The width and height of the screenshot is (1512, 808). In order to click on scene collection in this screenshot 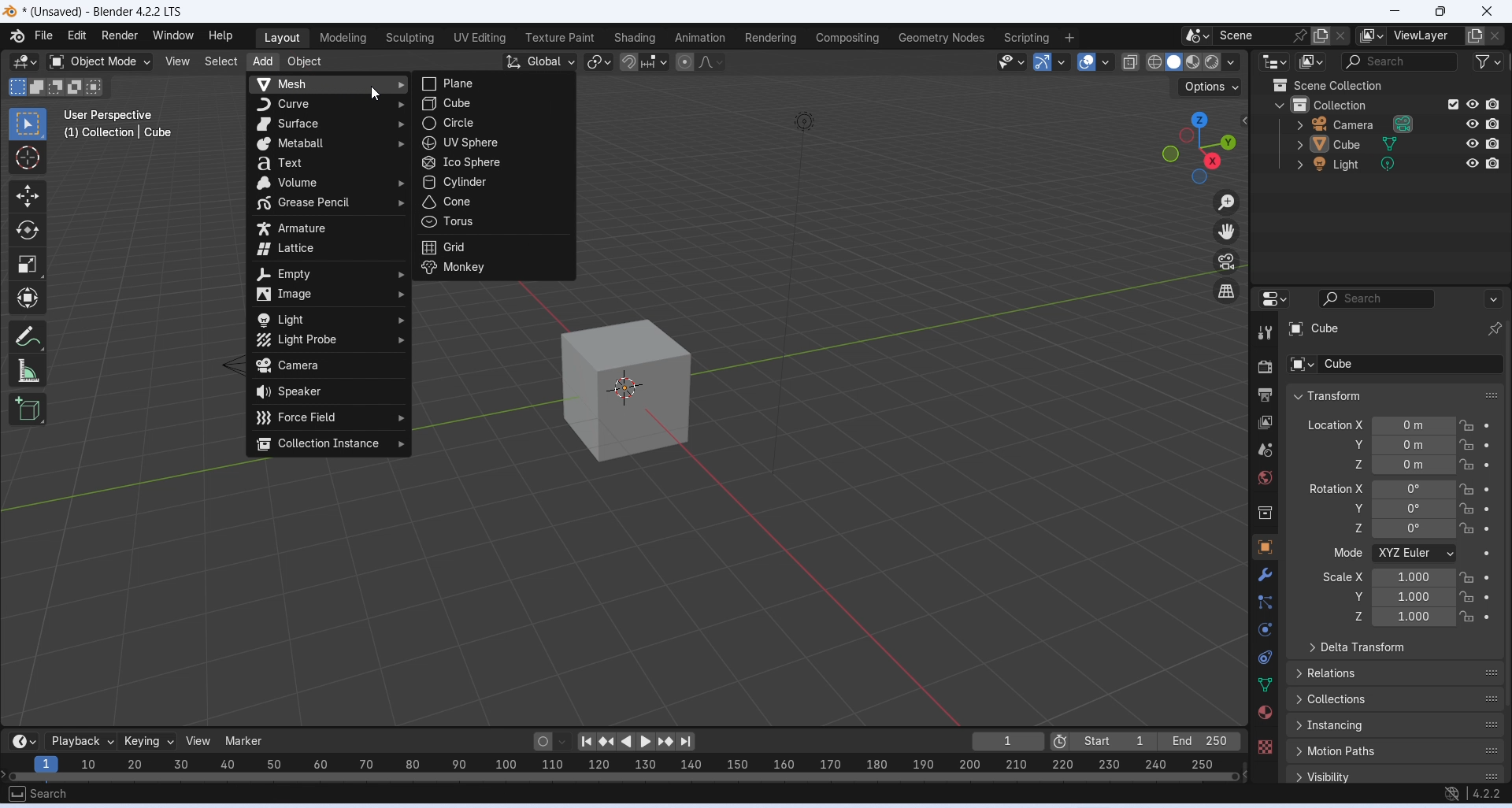, I will do `click(1363, 85)`.